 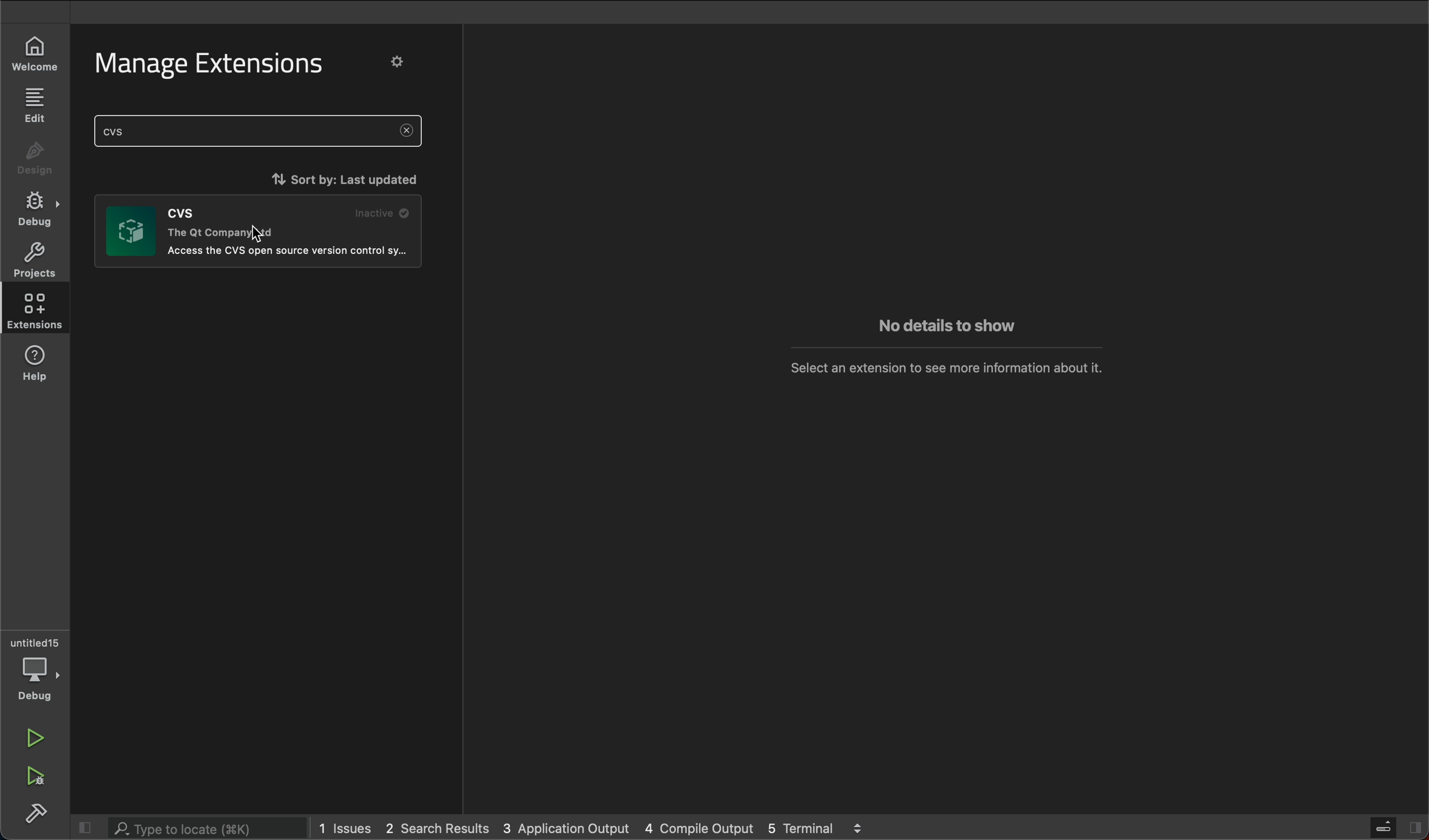 What do you see at coordinates (596, 828) in the screenshot?
I see `logs` at bounding box center [596, 828].